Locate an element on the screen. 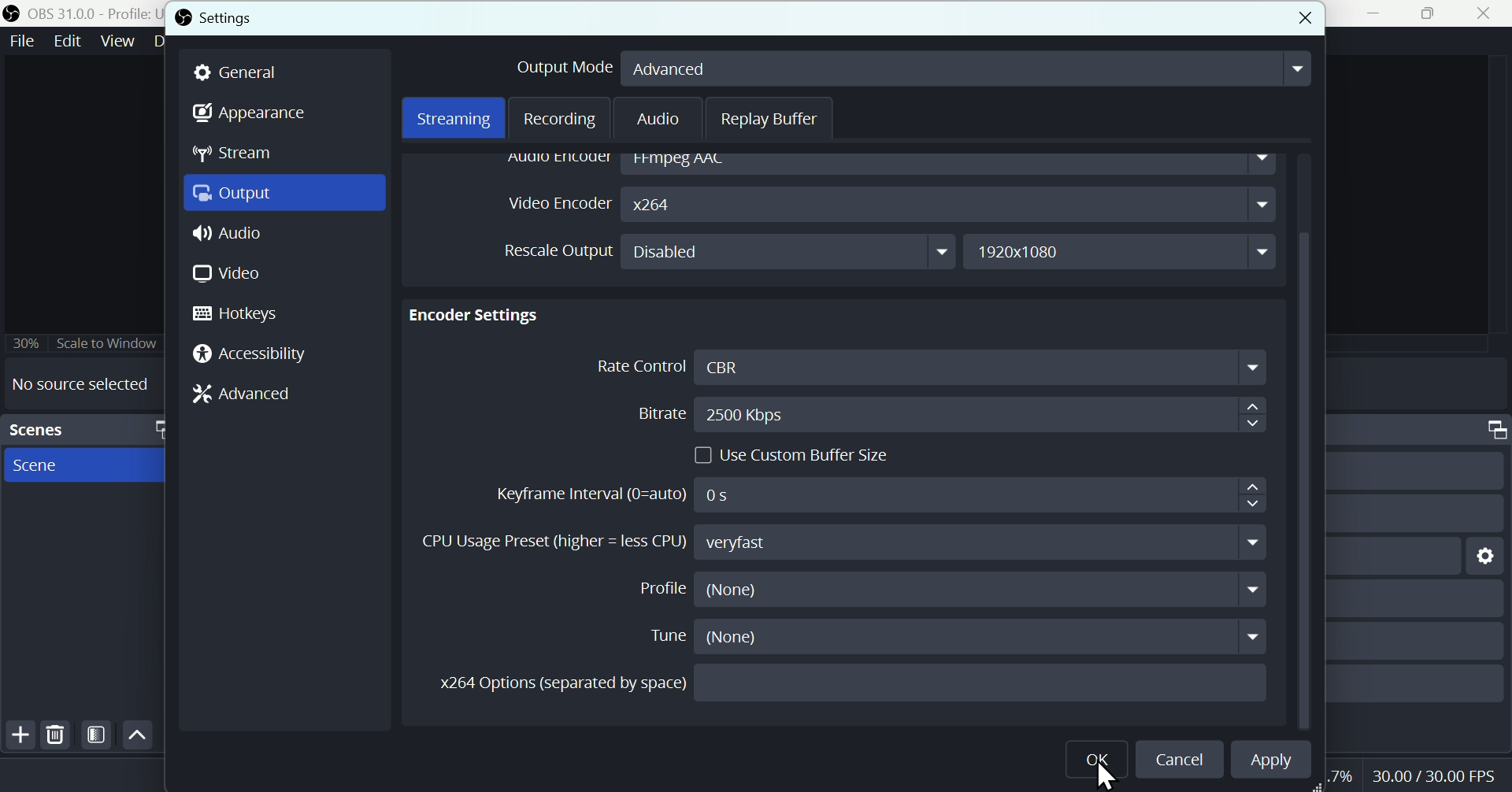 The image size is (1512, 792). Profile is located at coordinates (954, 588).